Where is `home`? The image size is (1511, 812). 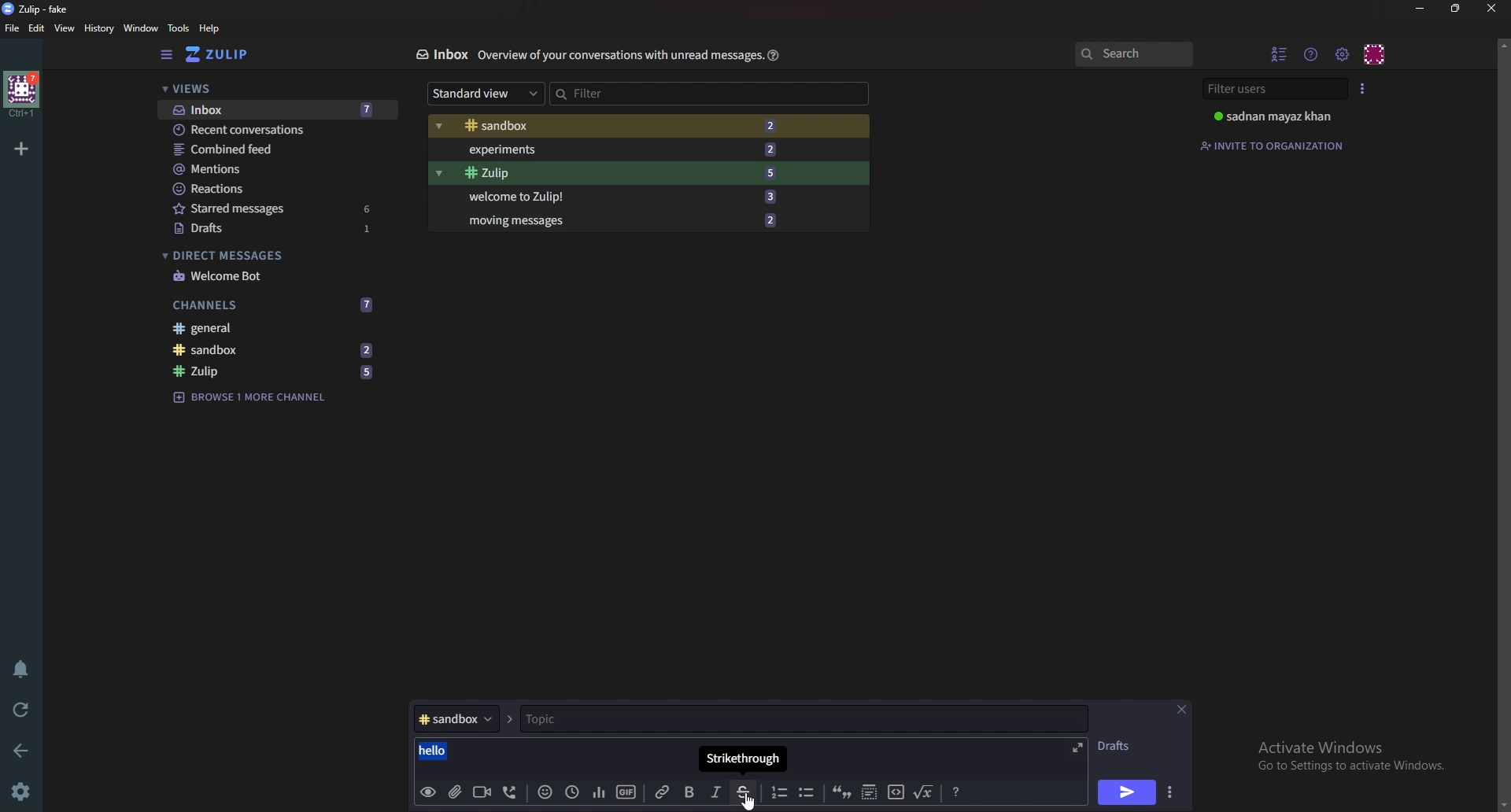 home is located at coordinates (21, 94).